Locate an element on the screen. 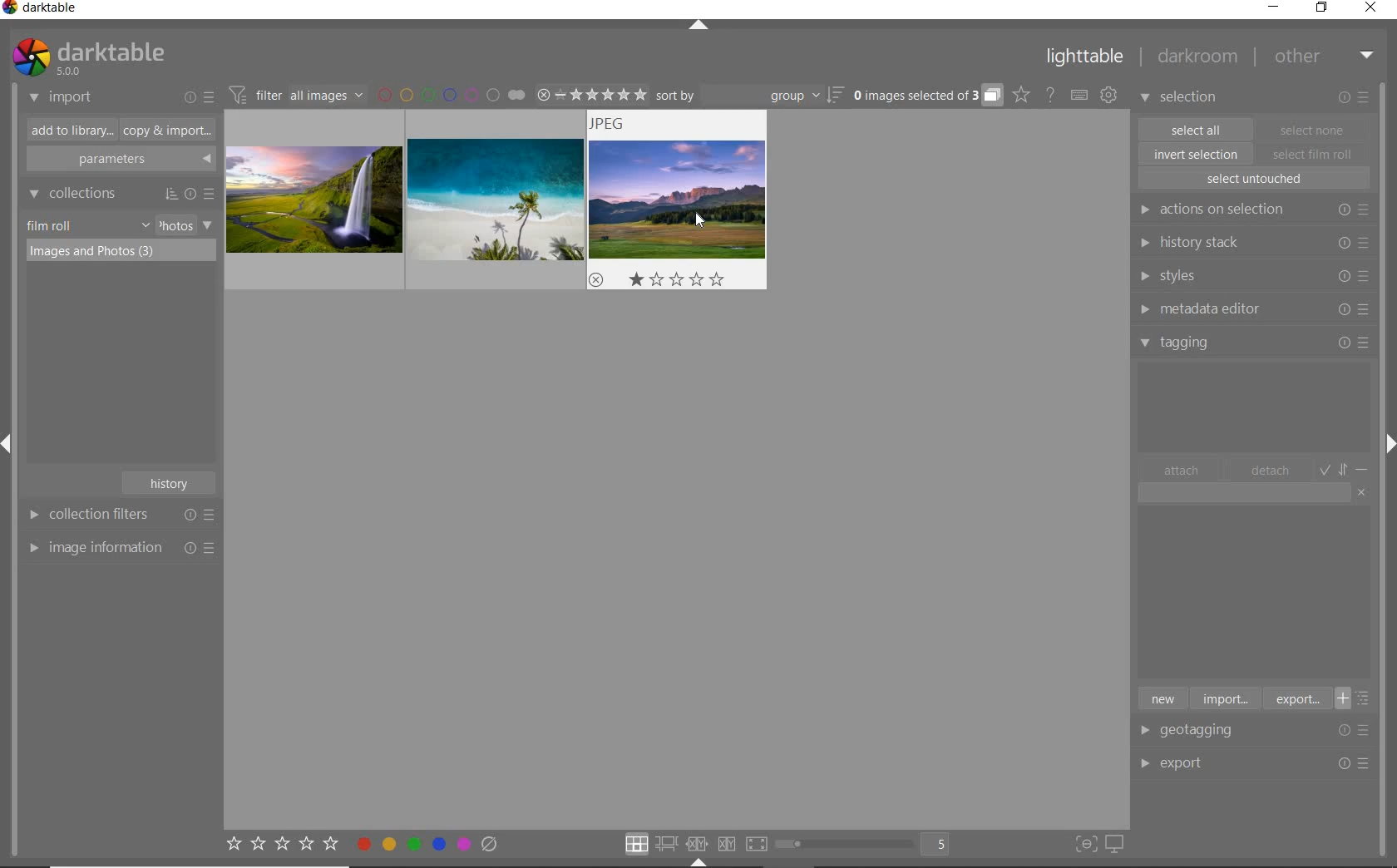 The image size is (1397, 868). actions on selection is located at coordinates (1251, 210).